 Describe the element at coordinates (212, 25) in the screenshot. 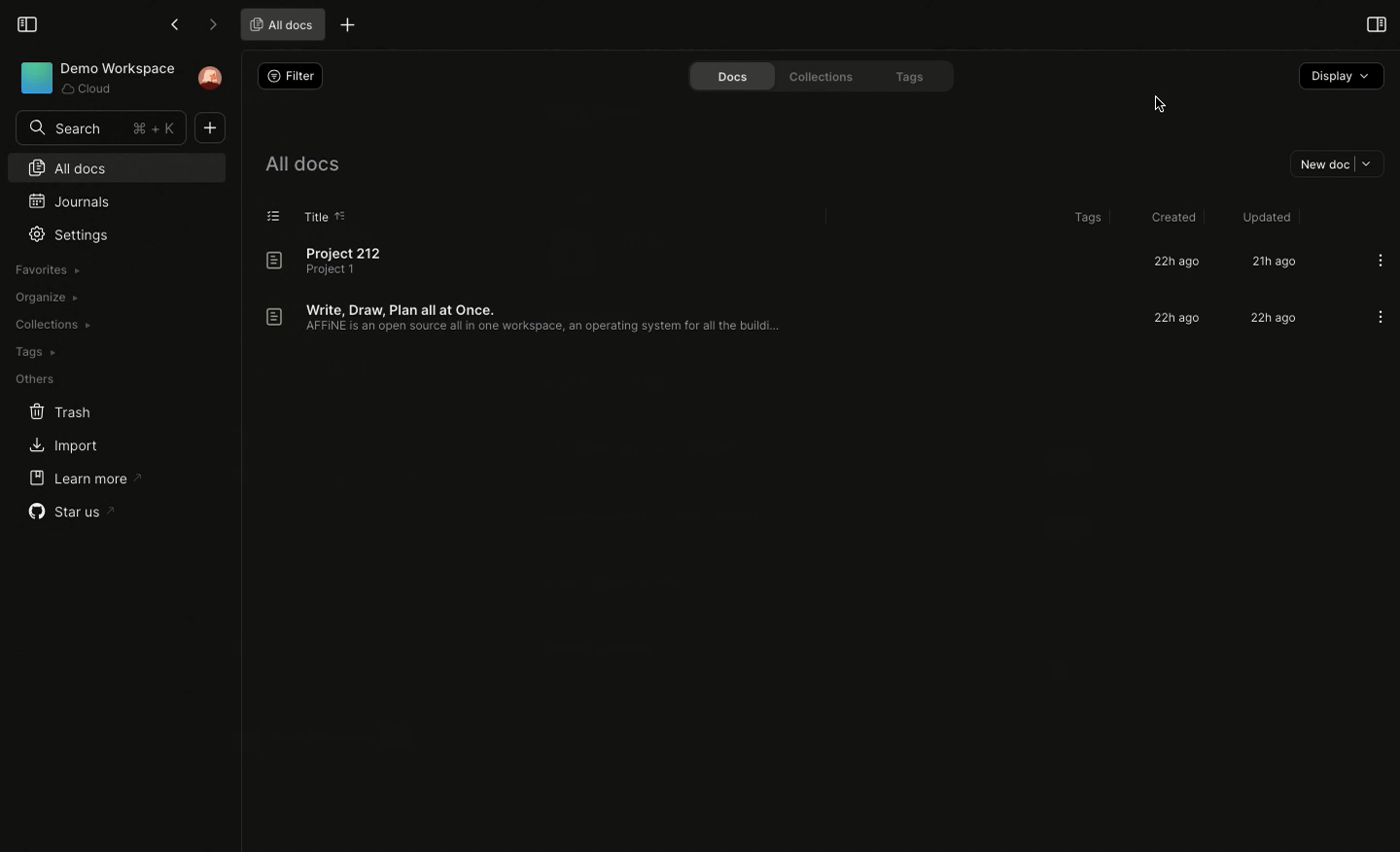

I see `Forward` at that location.